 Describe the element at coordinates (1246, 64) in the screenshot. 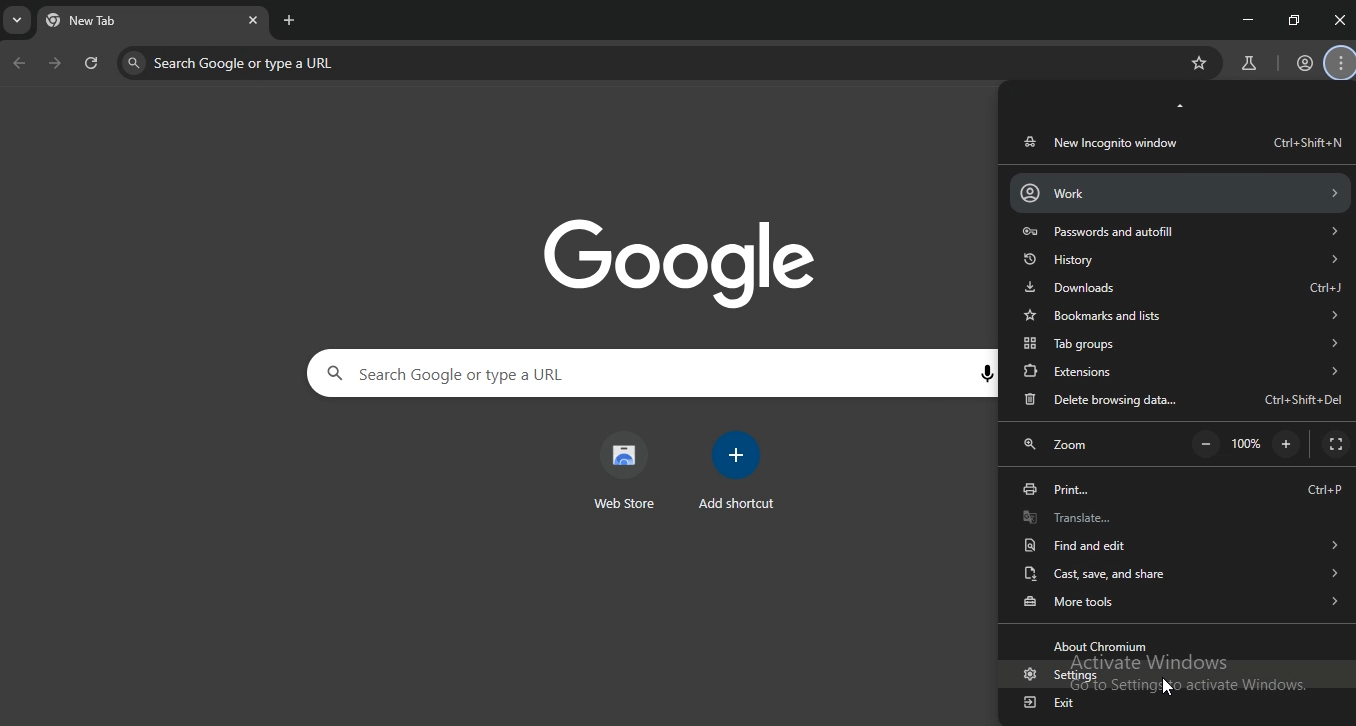

I see `search labs` at that location.